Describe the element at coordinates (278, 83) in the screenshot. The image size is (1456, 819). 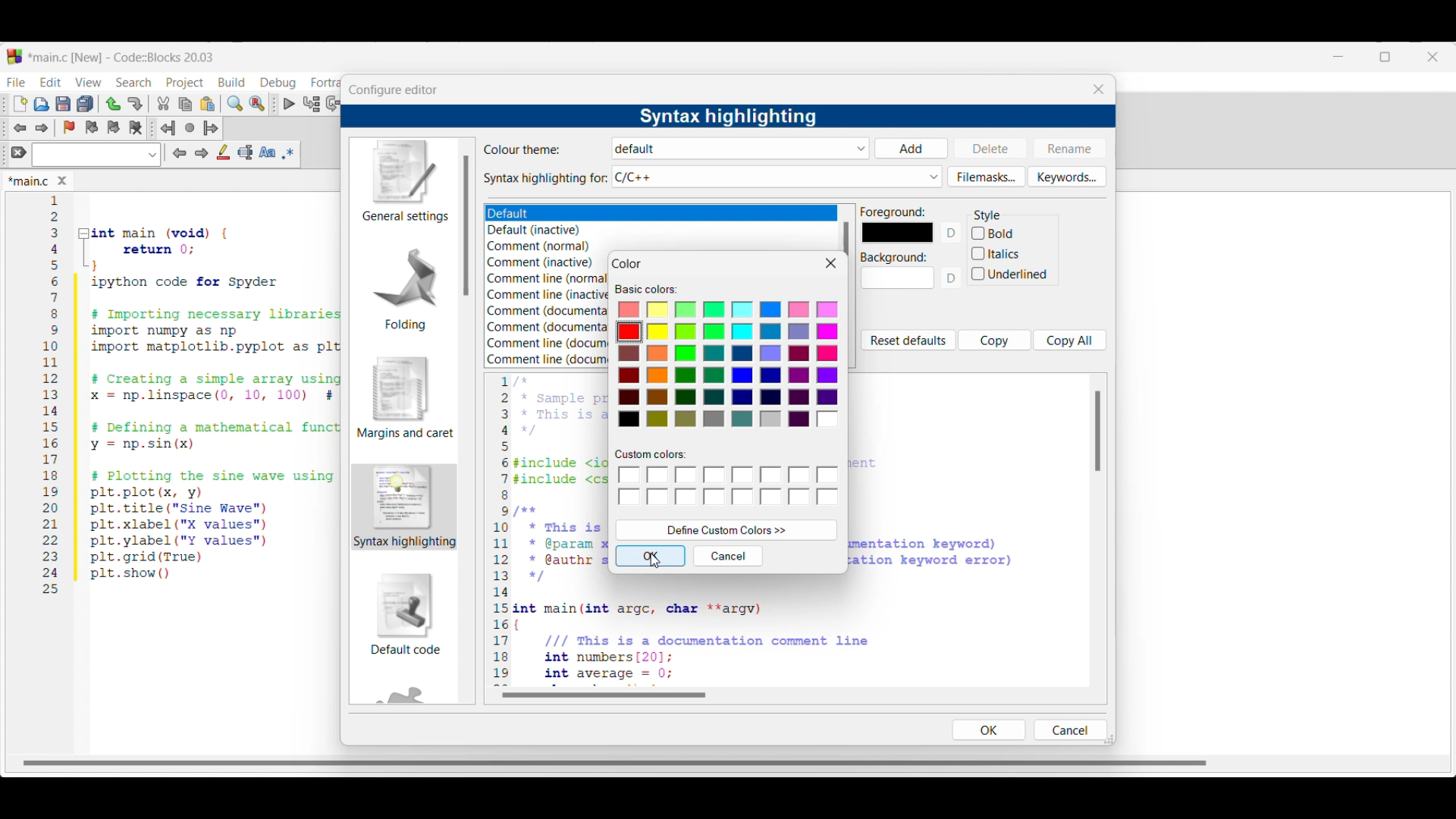
I see `Debug menu` at that location.